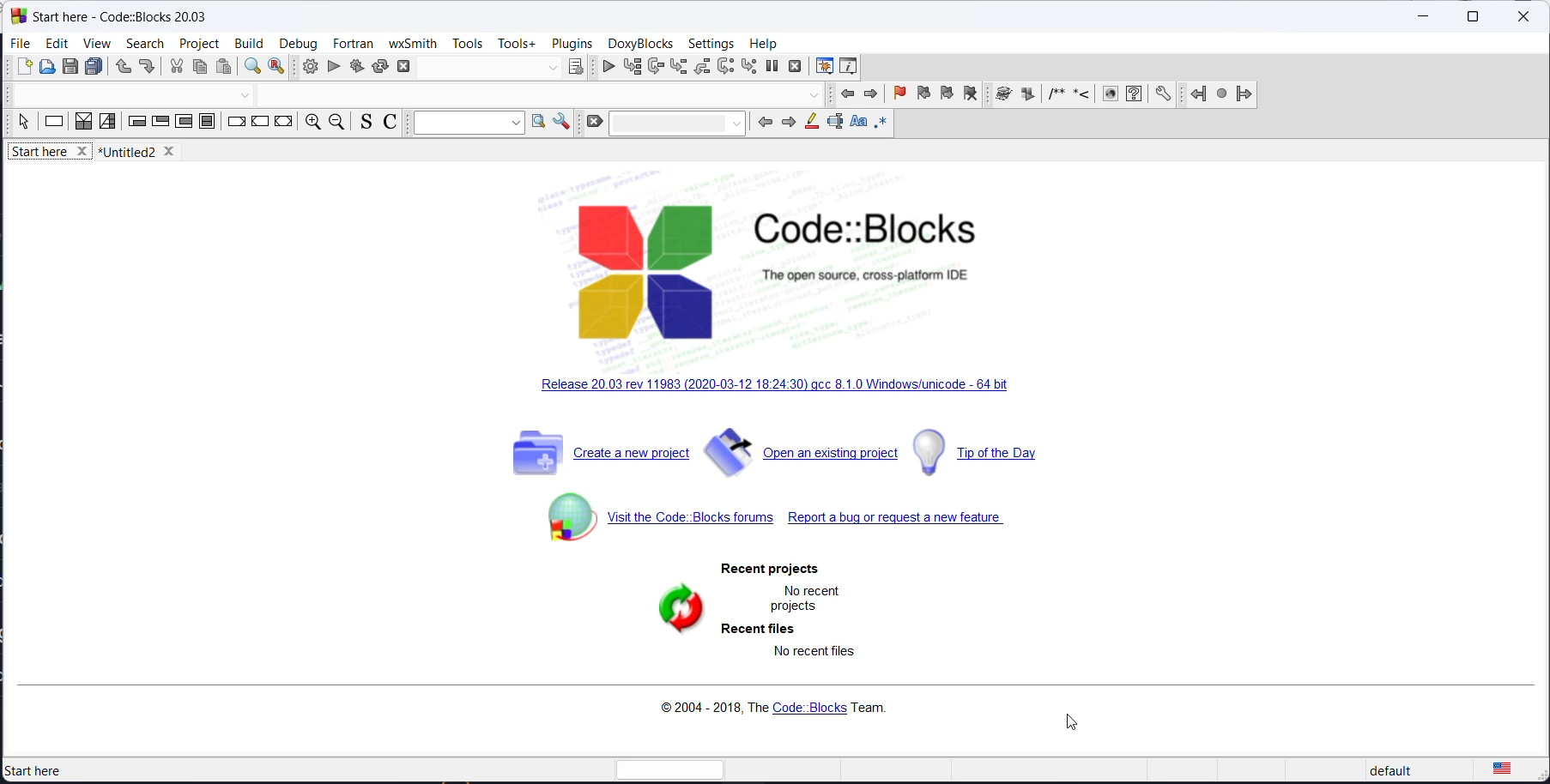  What do you see at coordinates (209, 124) in the screenshot?
I see `block instruction` at bounding box center [209, 124].